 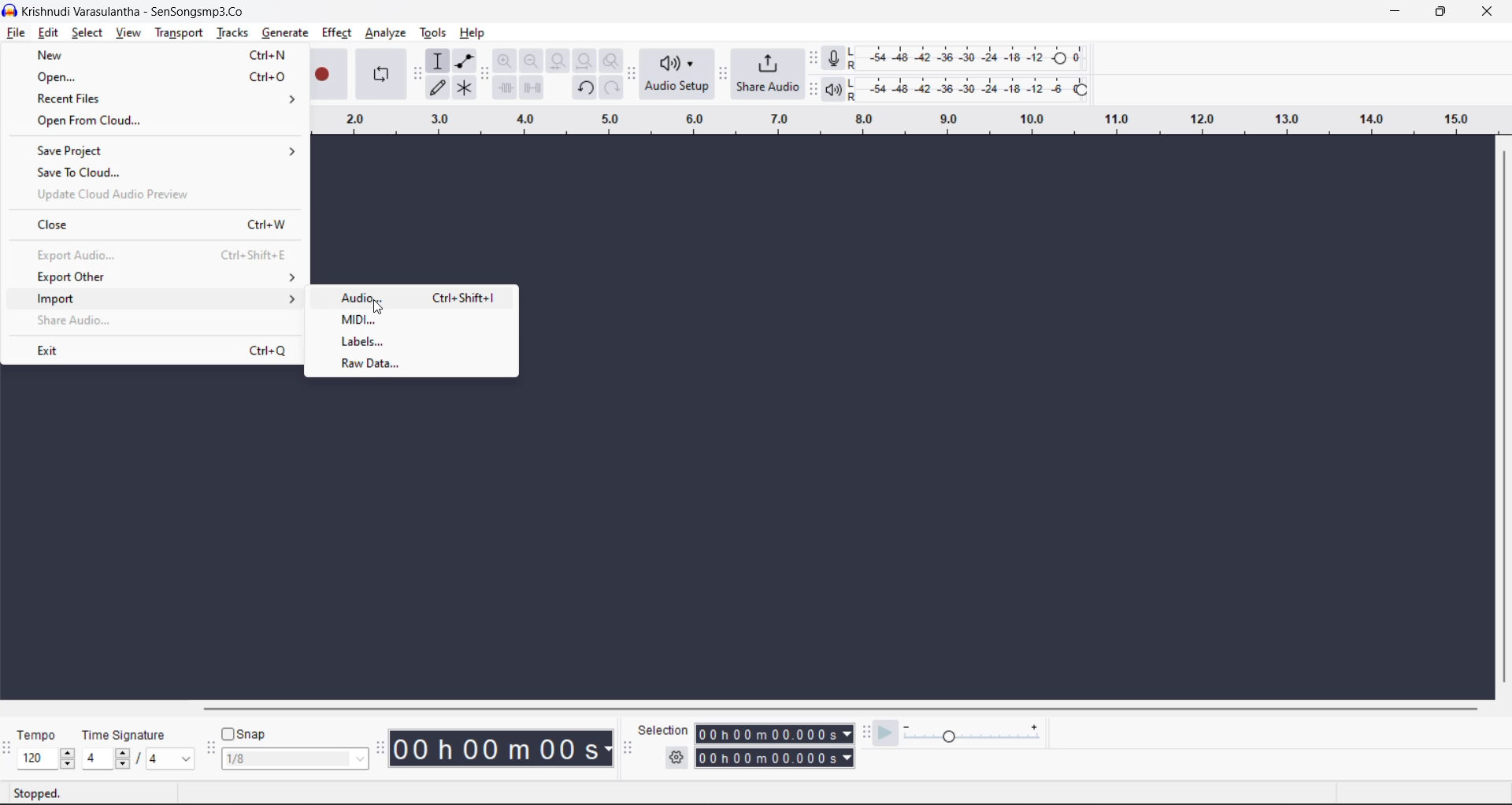 I want to click on share audio toolbar, so click(x=724, y=75).